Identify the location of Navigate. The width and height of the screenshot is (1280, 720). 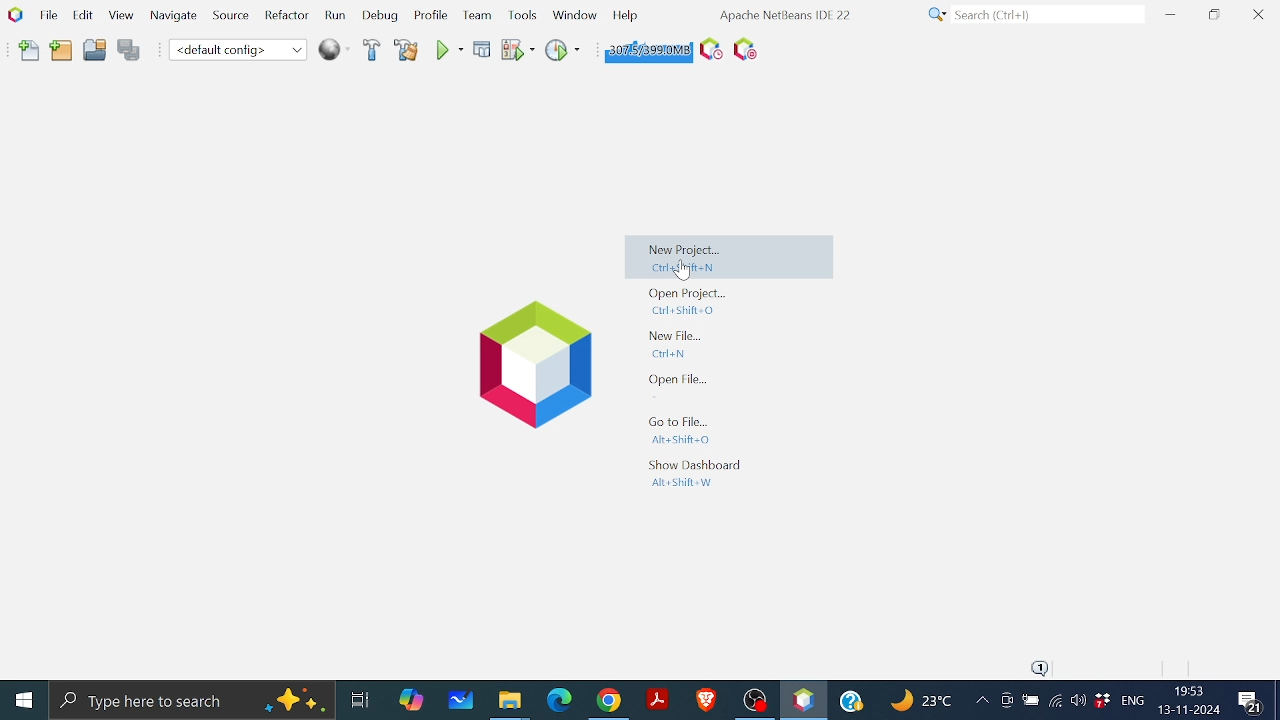
(174, 19).